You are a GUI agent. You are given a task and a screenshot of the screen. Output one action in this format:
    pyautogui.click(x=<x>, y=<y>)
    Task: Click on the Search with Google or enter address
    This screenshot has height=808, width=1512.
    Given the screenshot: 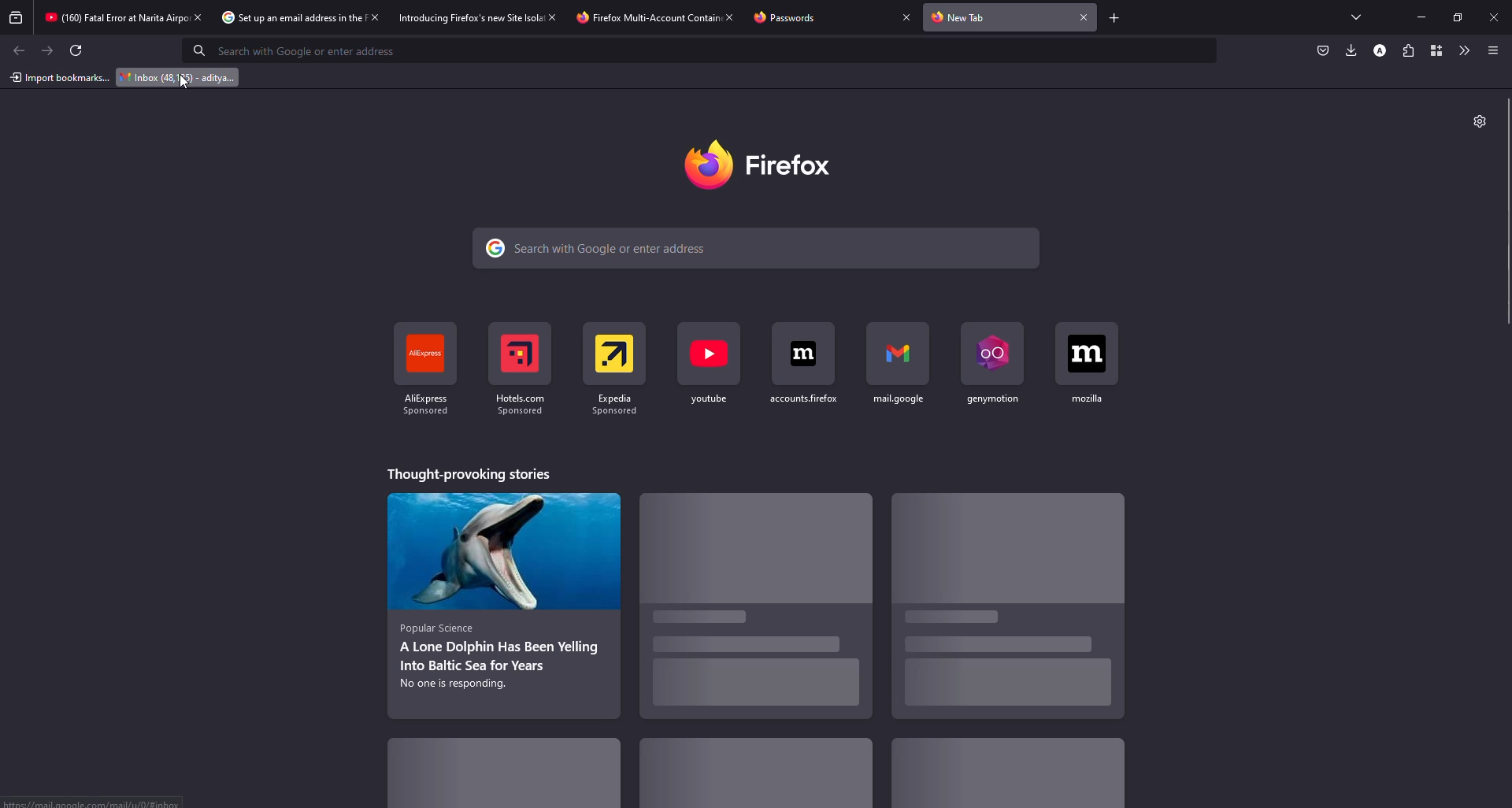 What is the action you would take?
    pyautogui.click(x=610, y=247)
    